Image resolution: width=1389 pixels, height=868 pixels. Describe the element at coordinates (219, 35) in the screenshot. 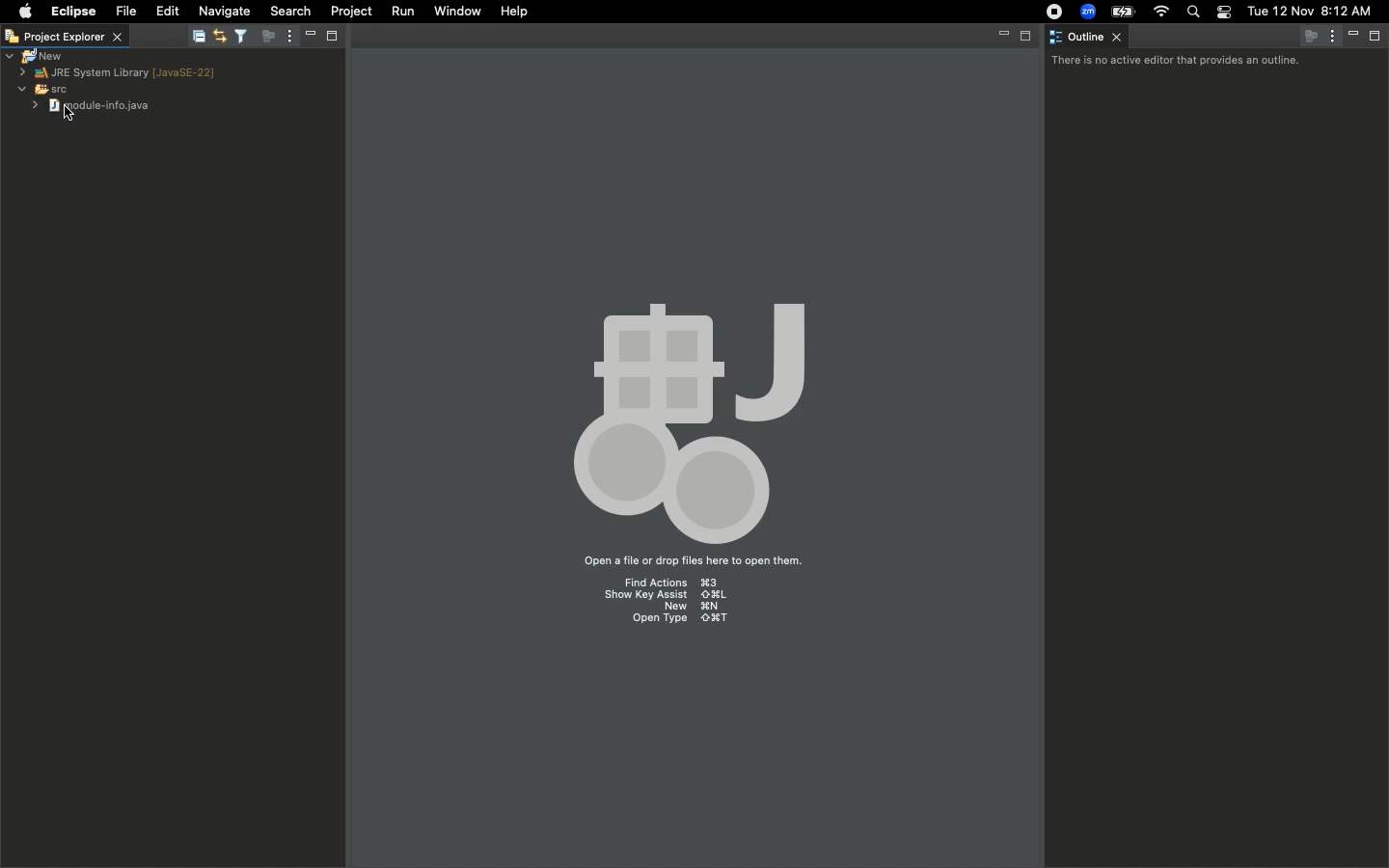

I see `Editor` at that location.